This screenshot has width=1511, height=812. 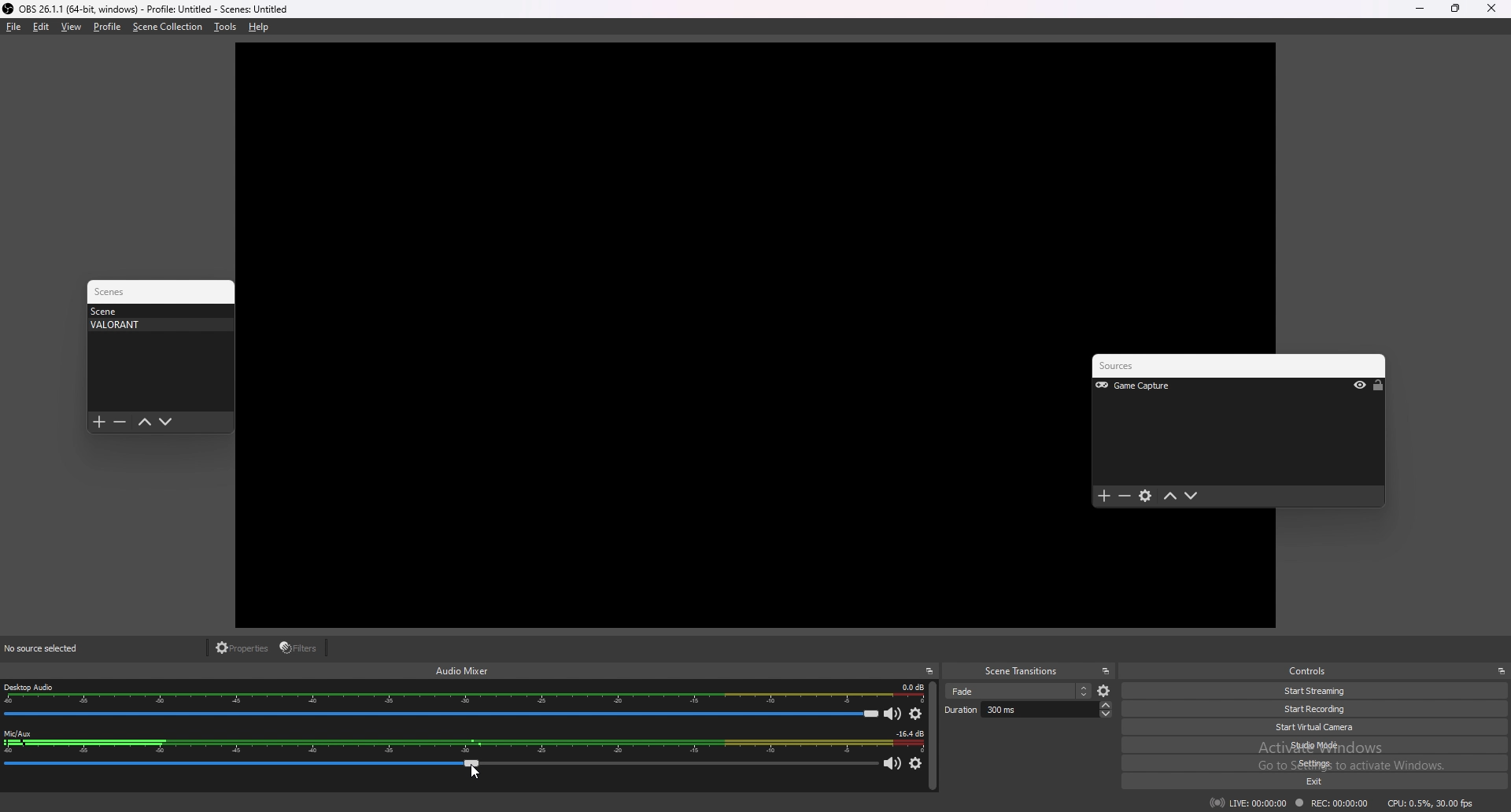 I want to click on cursor, so click(x=473, y=772).